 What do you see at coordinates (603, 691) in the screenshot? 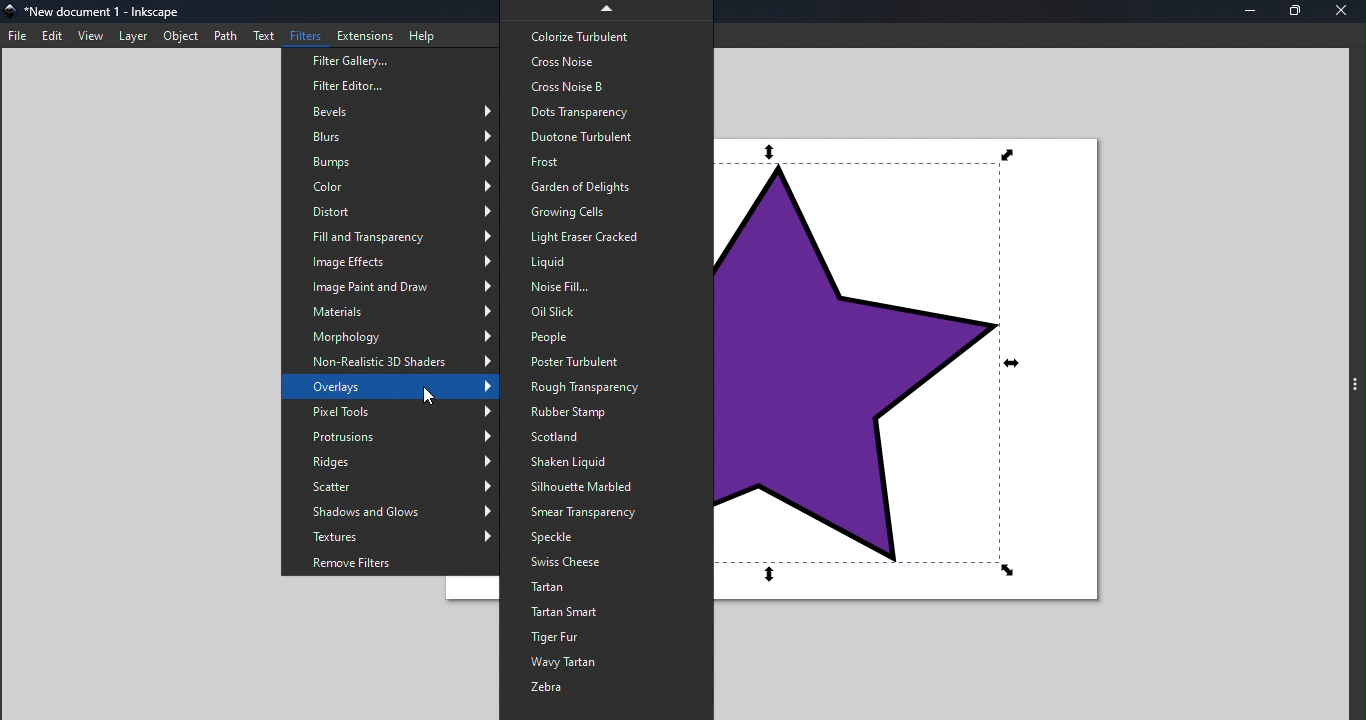
I see `Zebra` at bounding box center [603, 691].